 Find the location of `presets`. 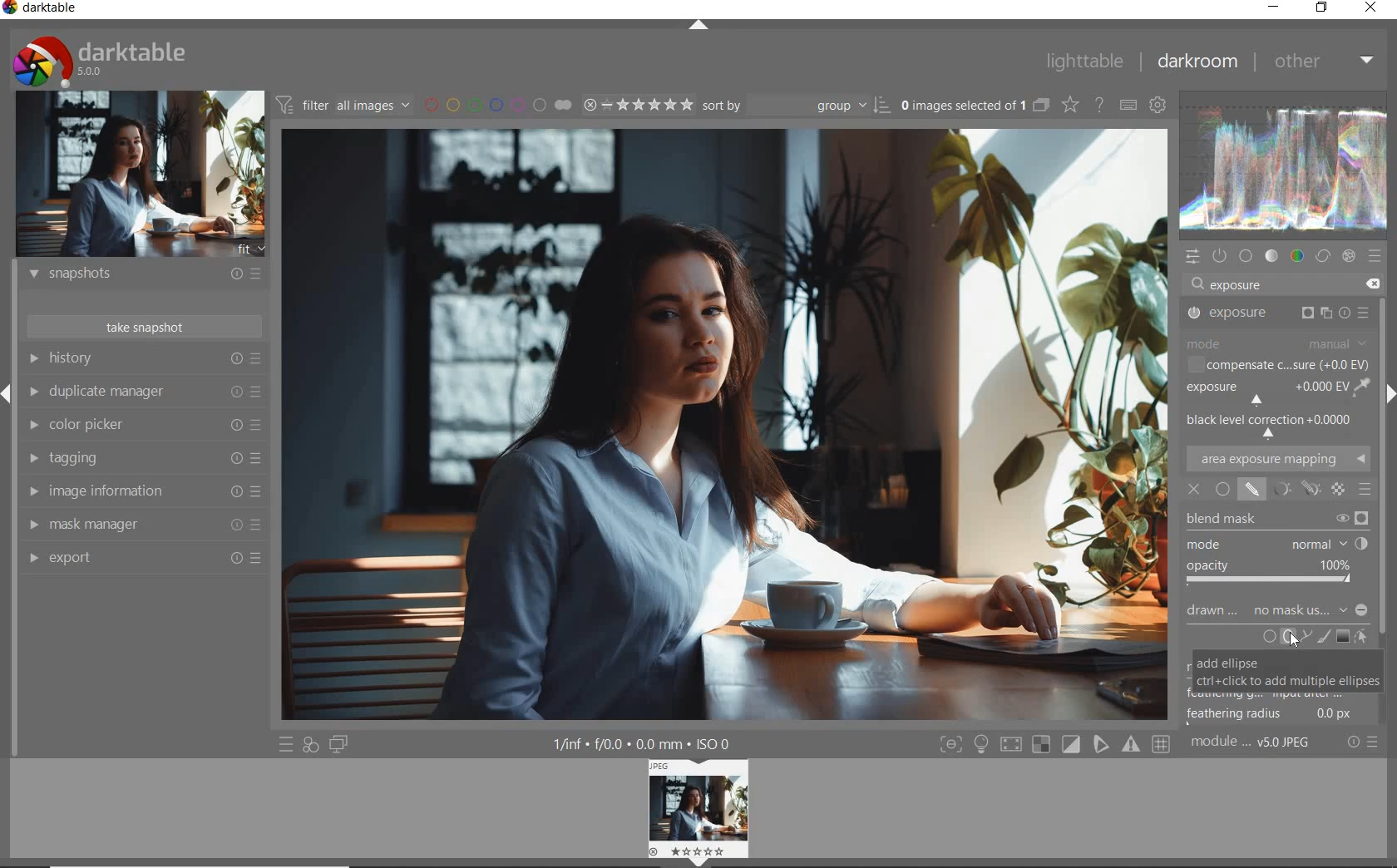

presets is located at coordinates (1376, 255).